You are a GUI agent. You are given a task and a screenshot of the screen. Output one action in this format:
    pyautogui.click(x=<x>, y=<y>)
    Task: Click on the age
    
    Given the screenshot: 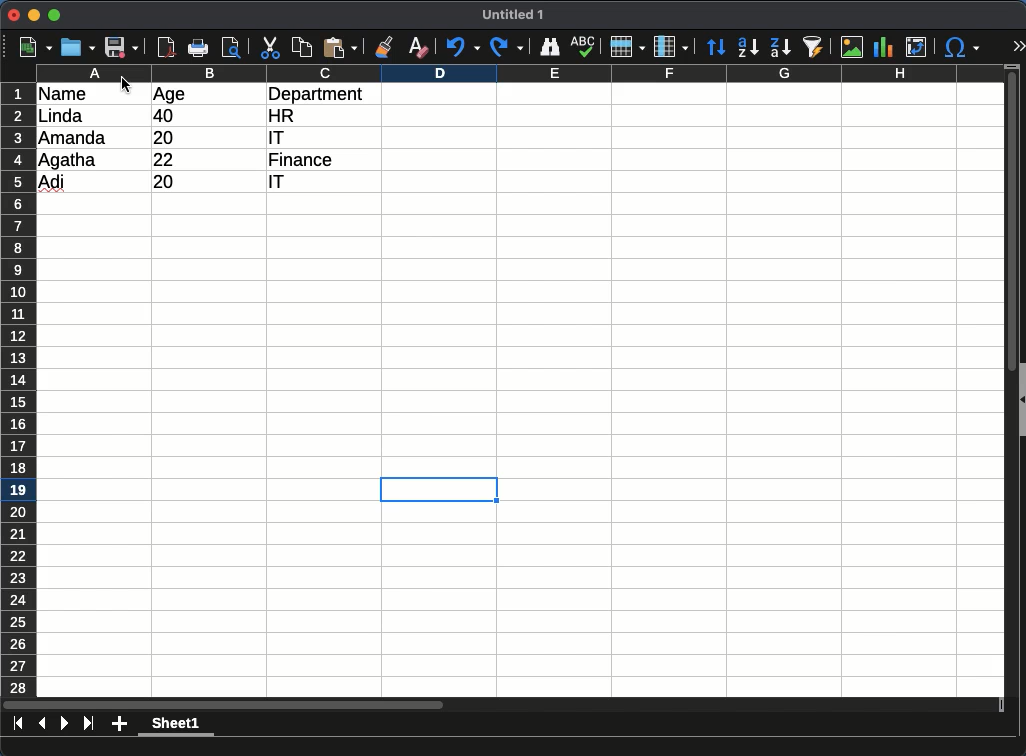 What is the action you would take?
    pyautogui.click(x=169, y=95)
    